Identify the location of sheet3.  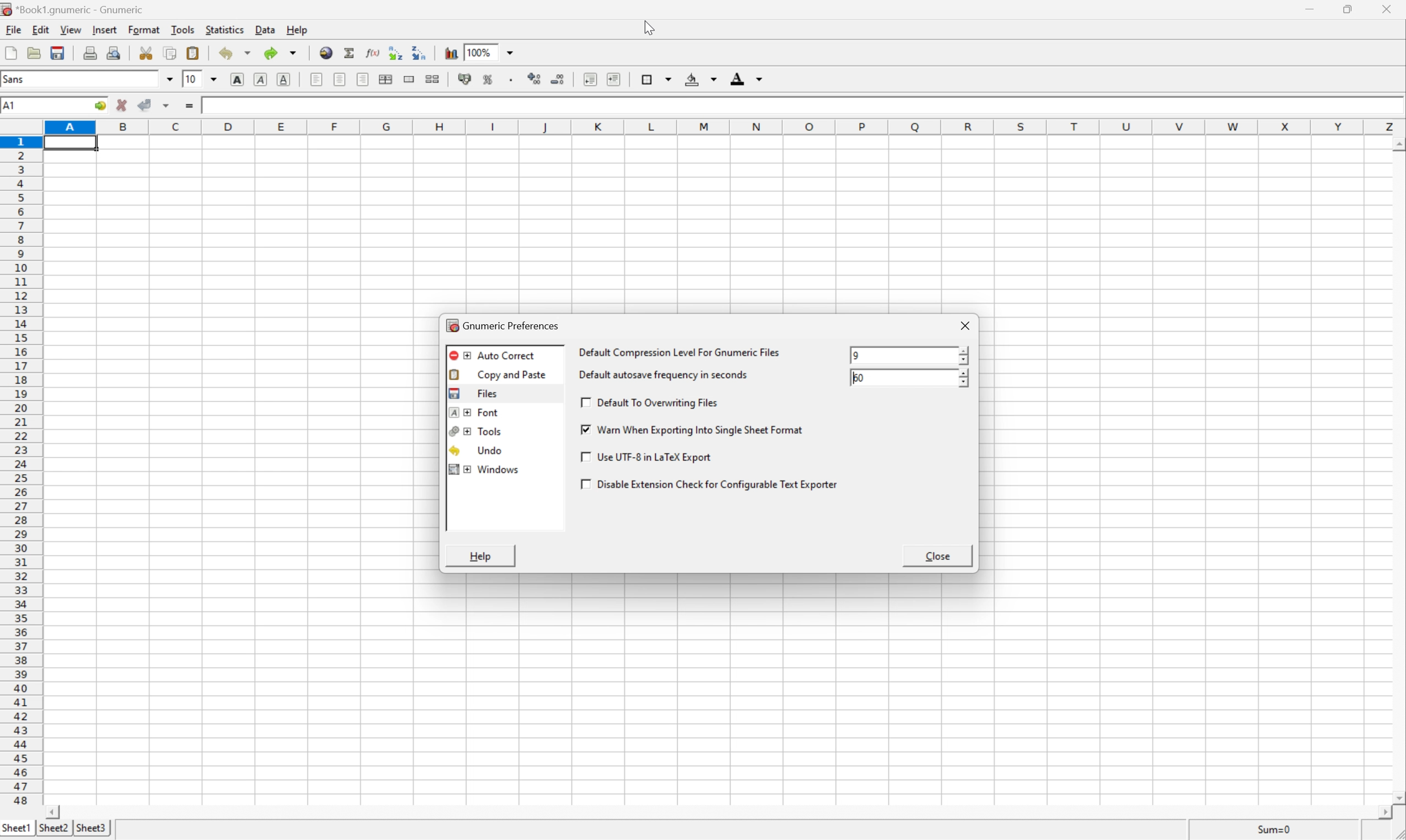
(91, 831).